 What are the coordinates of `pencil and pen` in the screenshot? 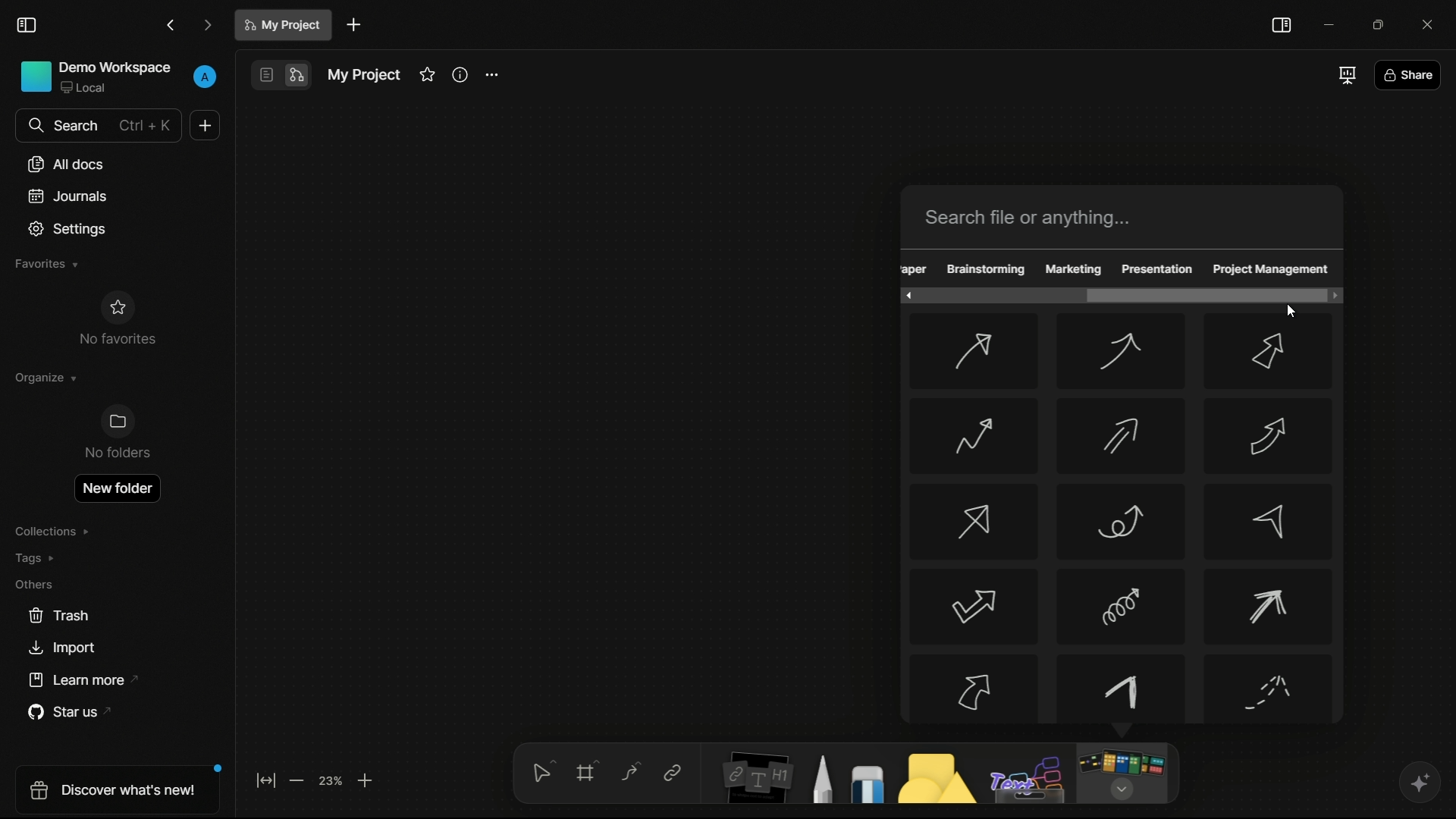 It's located at (821, 778).